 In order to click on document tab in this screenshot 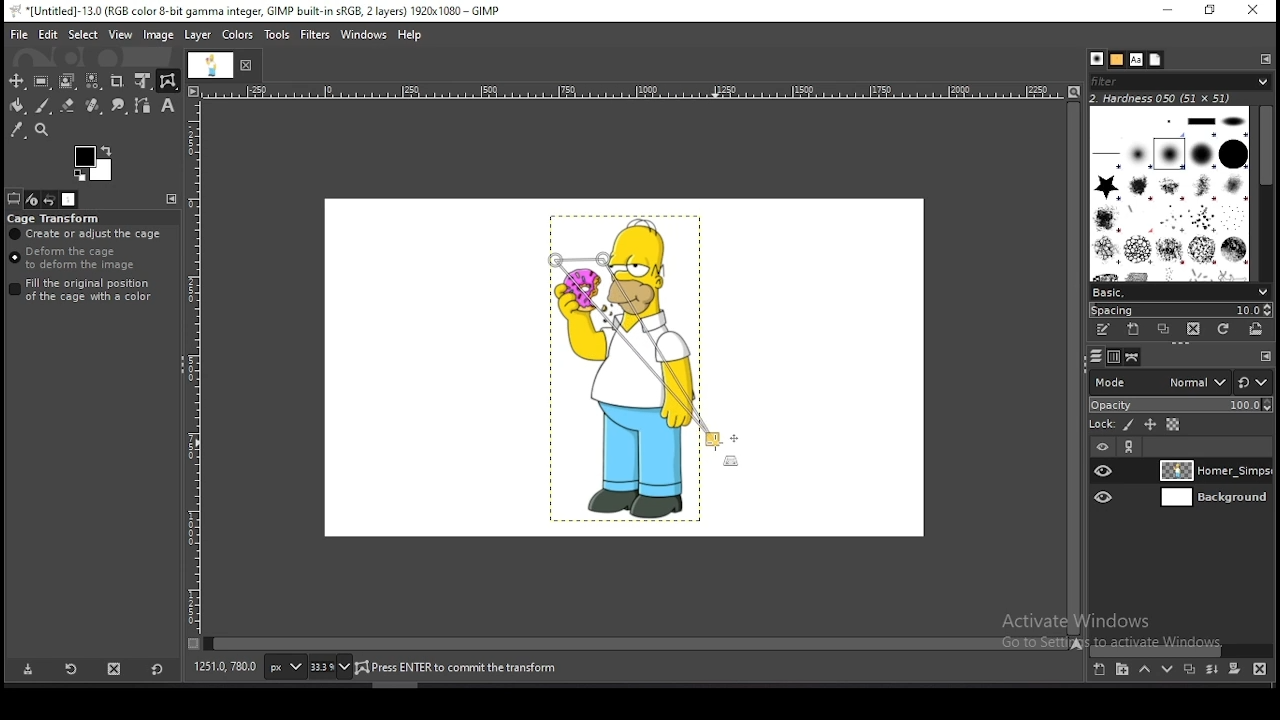, I will do `click(214, 67)`.